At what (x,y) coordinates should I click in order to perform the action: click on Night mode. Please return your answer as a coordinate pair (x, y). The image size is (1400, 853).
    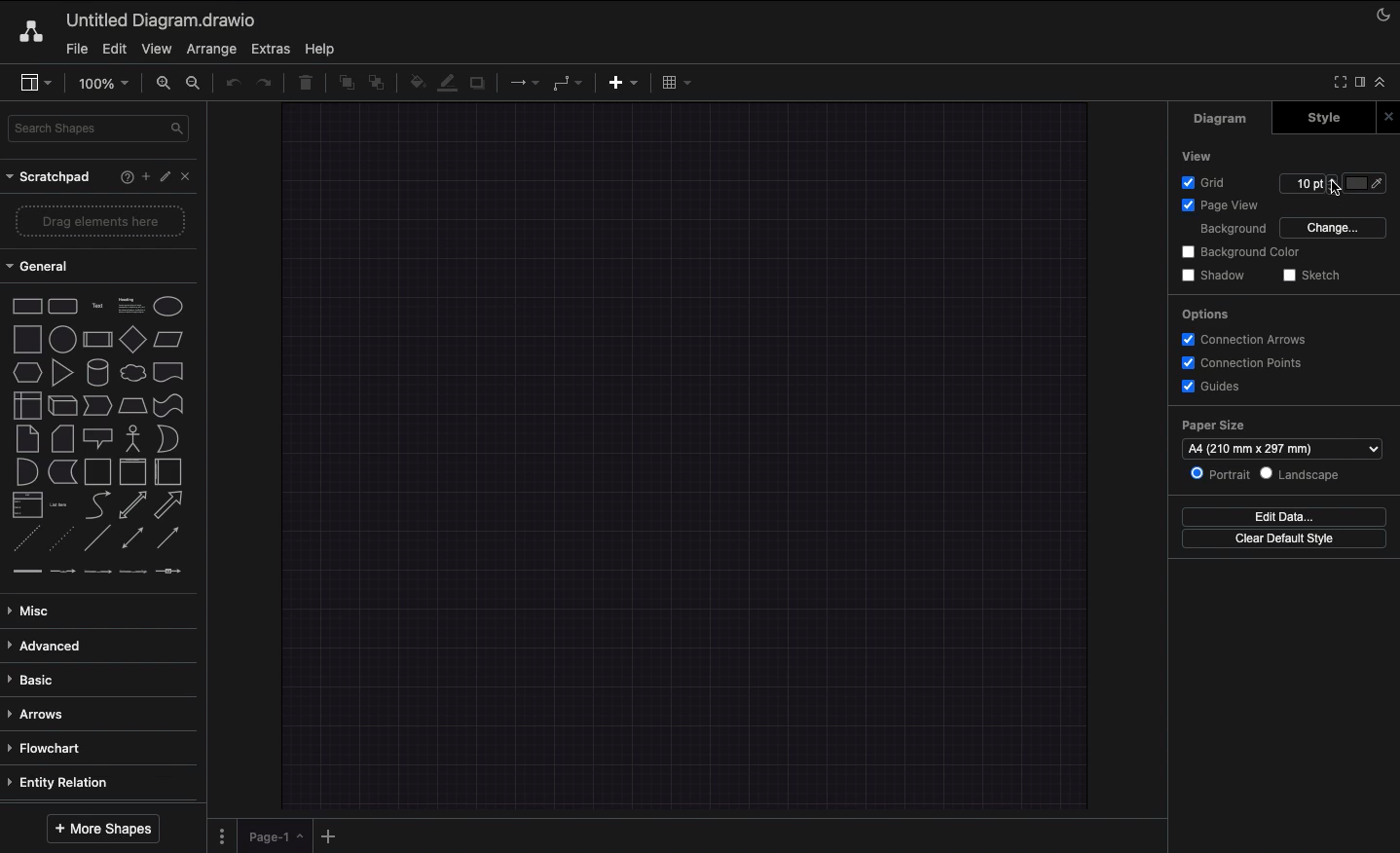
    Looking at the image, I should click on (1383, 18).